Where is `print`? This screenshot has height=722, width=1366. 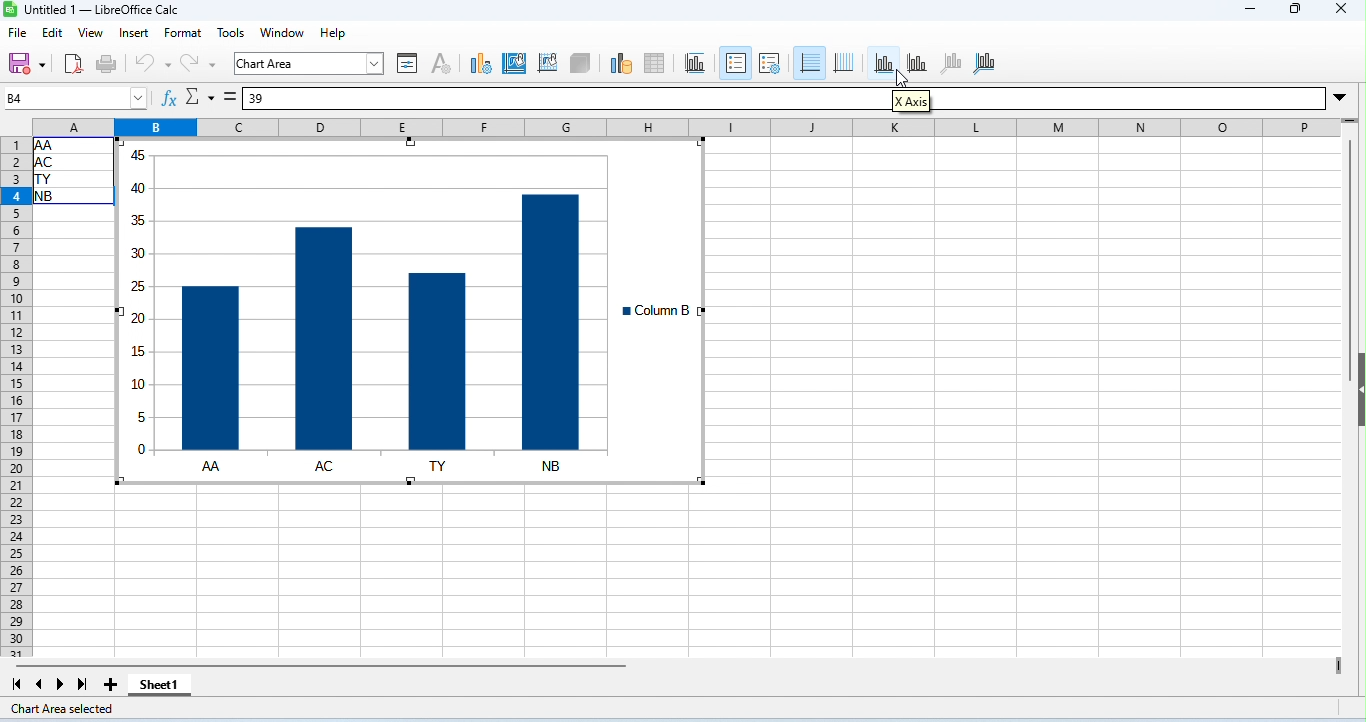
print is located at coordinates (104, 64).